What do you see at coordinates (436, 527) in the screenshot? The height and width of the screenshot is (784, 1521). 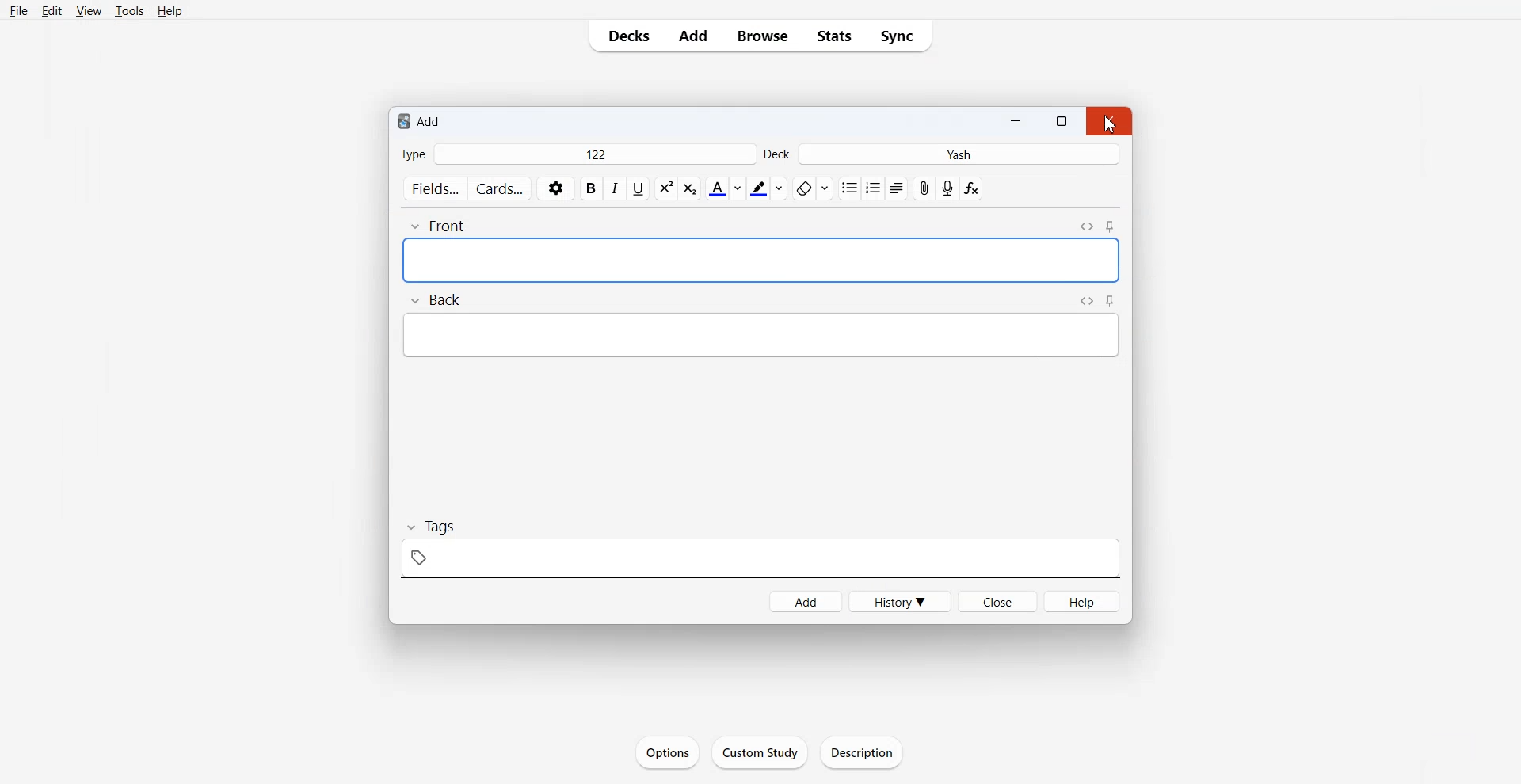 I see `Tags` at bounding box center [436, 527].